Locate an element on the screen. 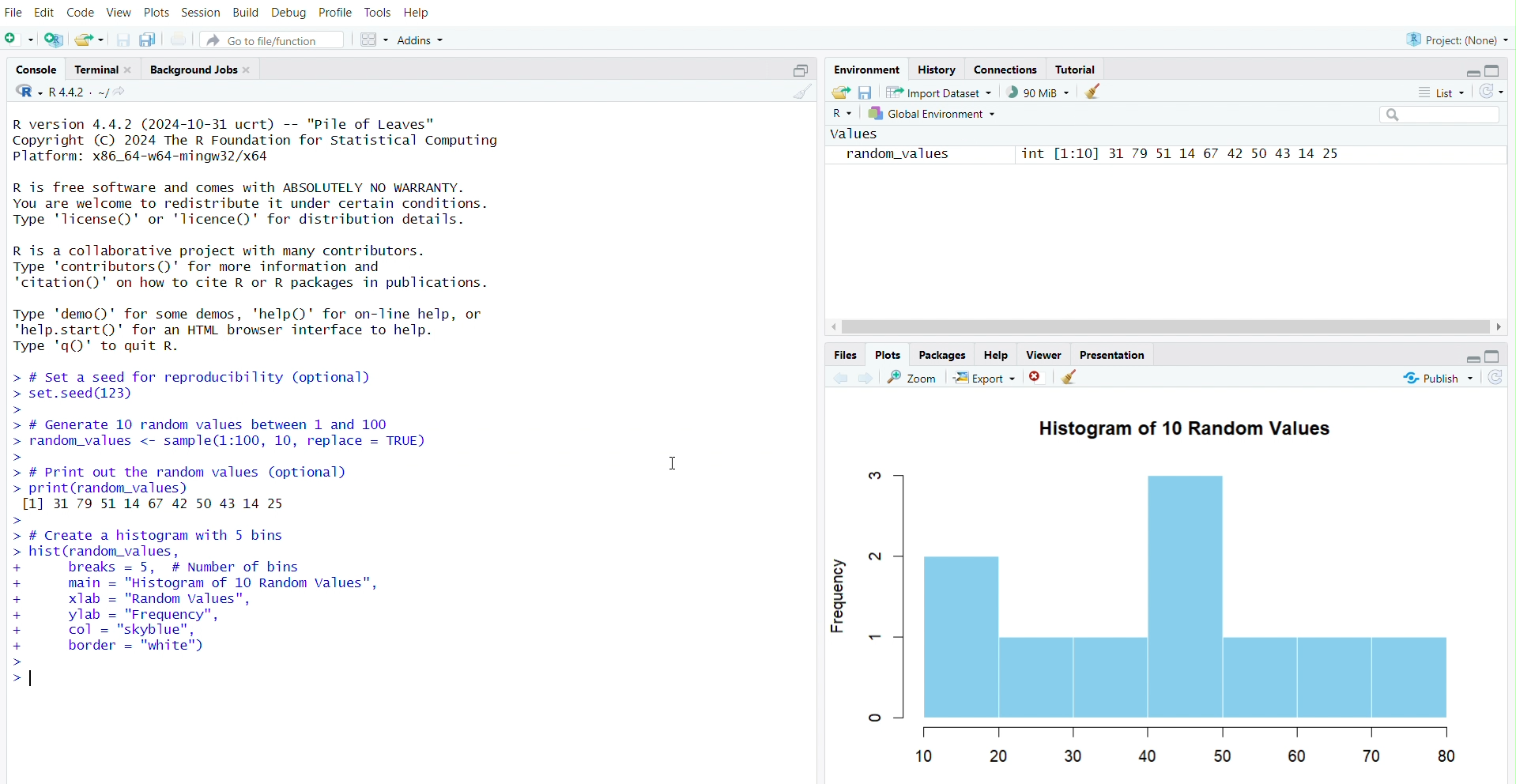 Image resolution: width=1516 pixels, height=784 pixels. search field is located at coordinates (1441, 115).